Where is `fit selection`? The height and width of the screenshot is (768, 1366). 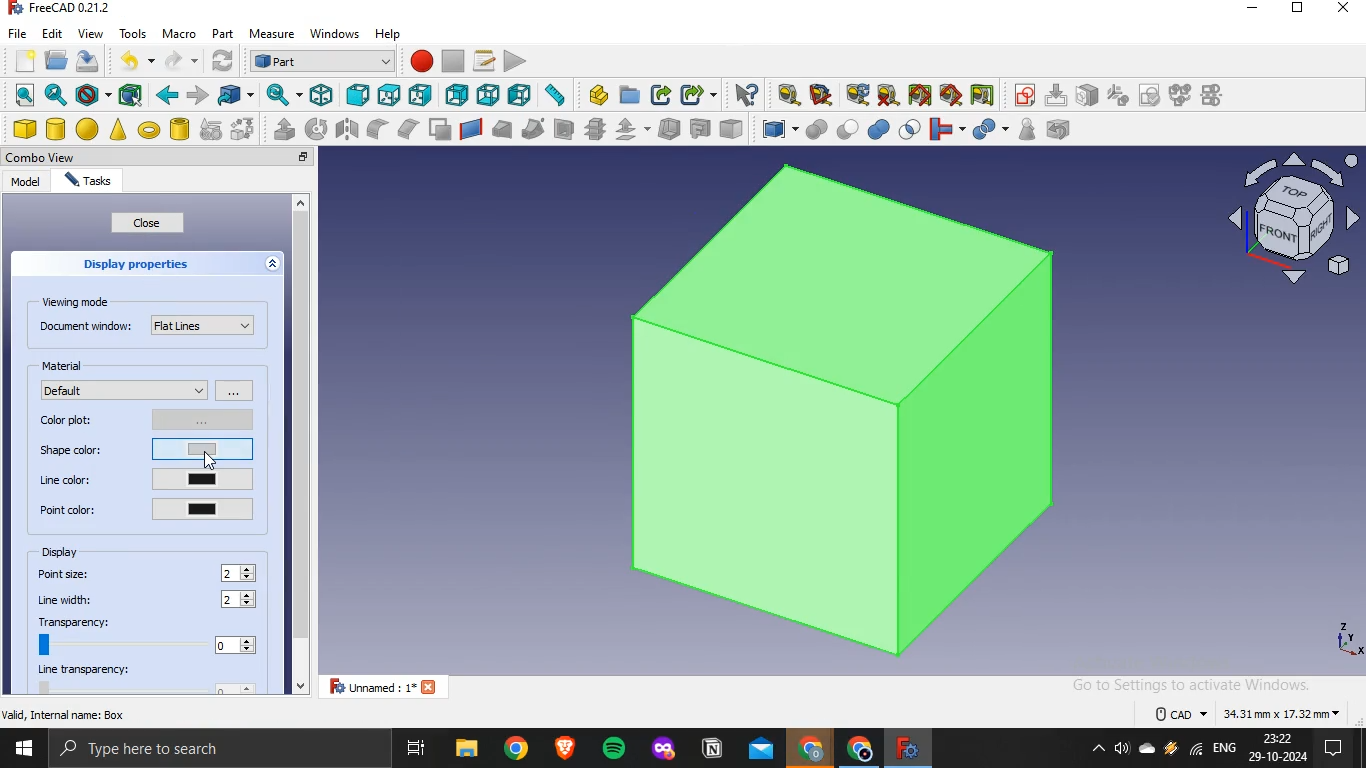
fit selection is located at coordinates (55, 95).